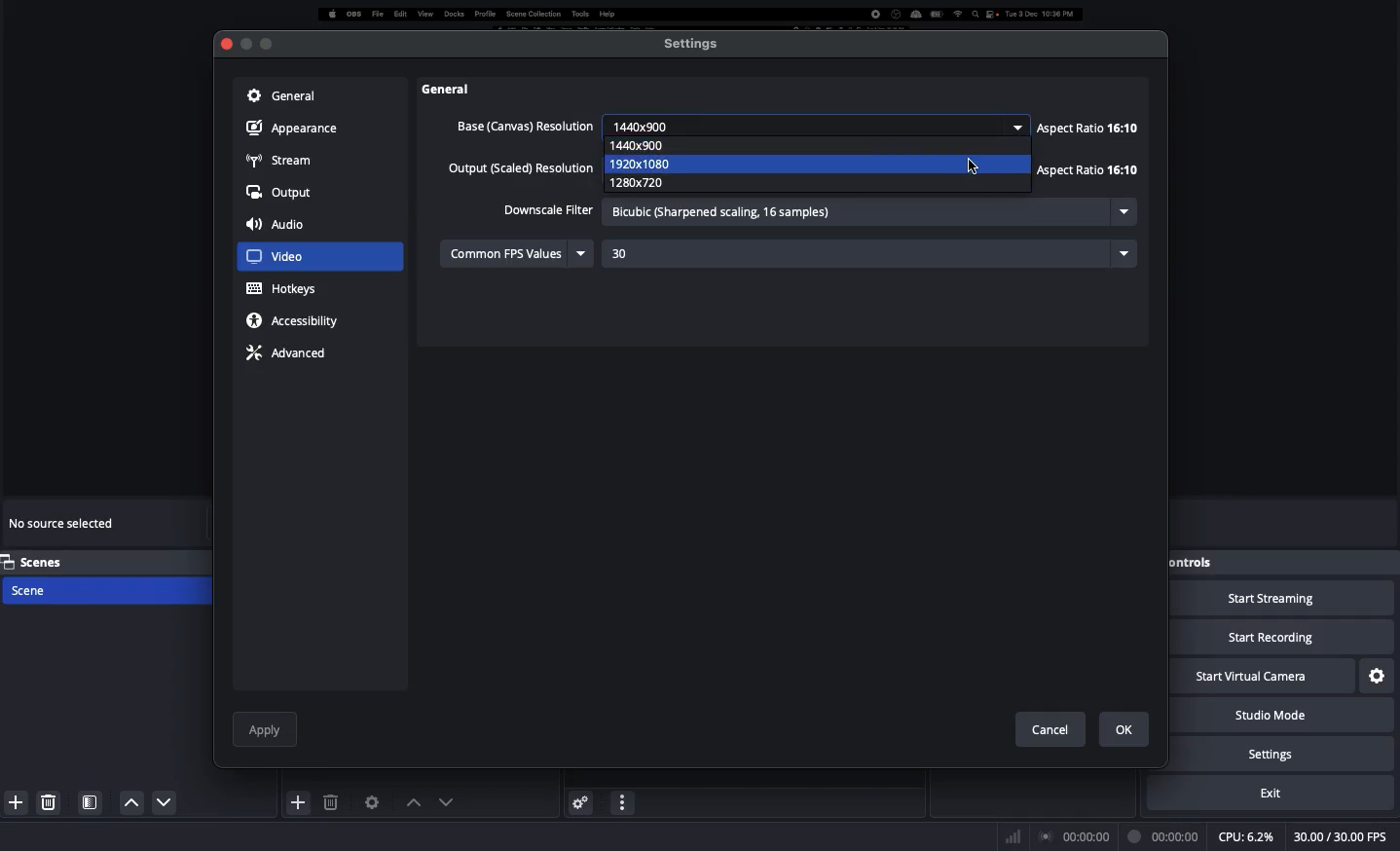 The image size is (1400, 851). I want to click on Scen, so click(104, 589).